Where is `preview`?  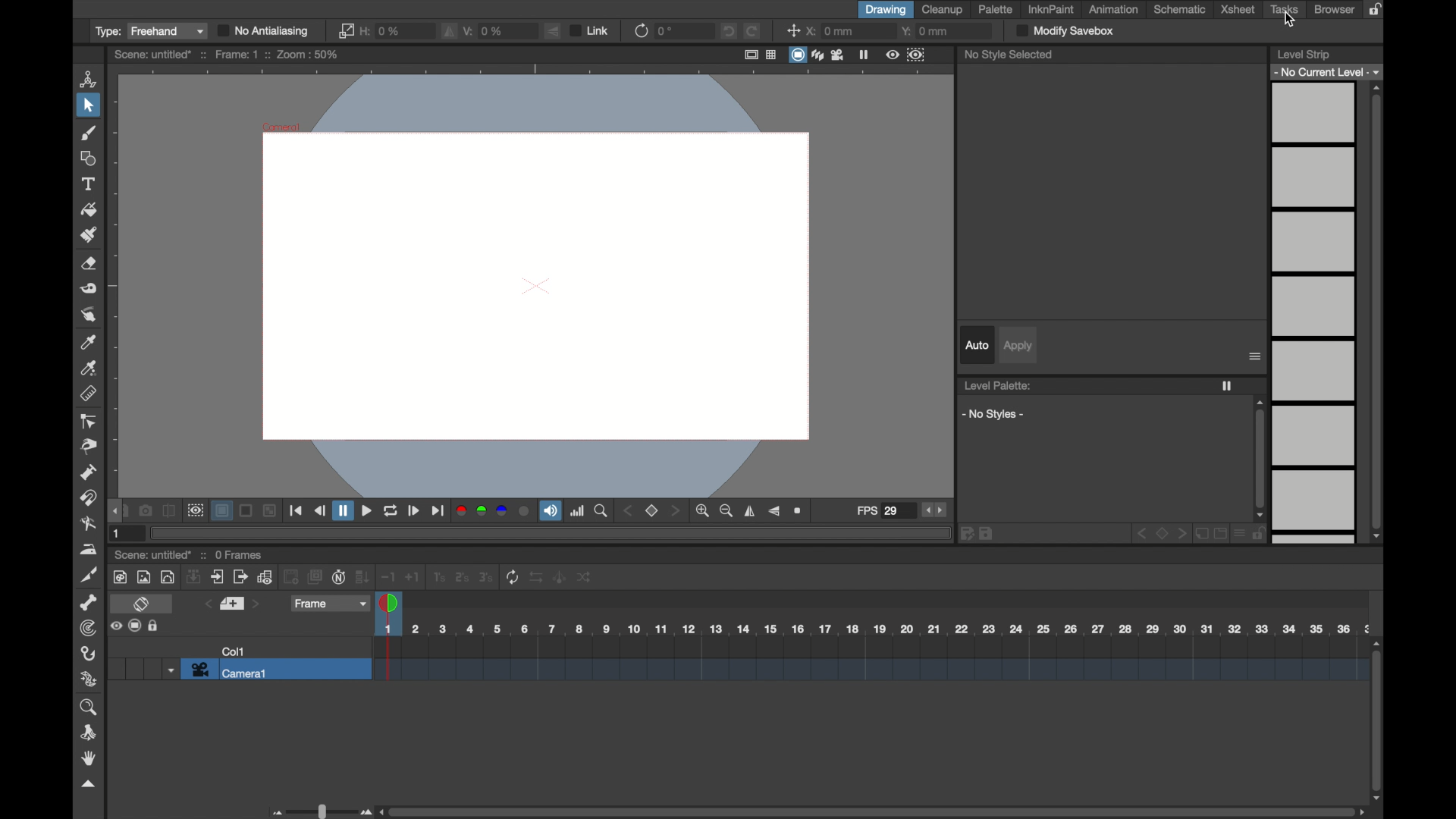
preview is located at coordinates (892, 54).